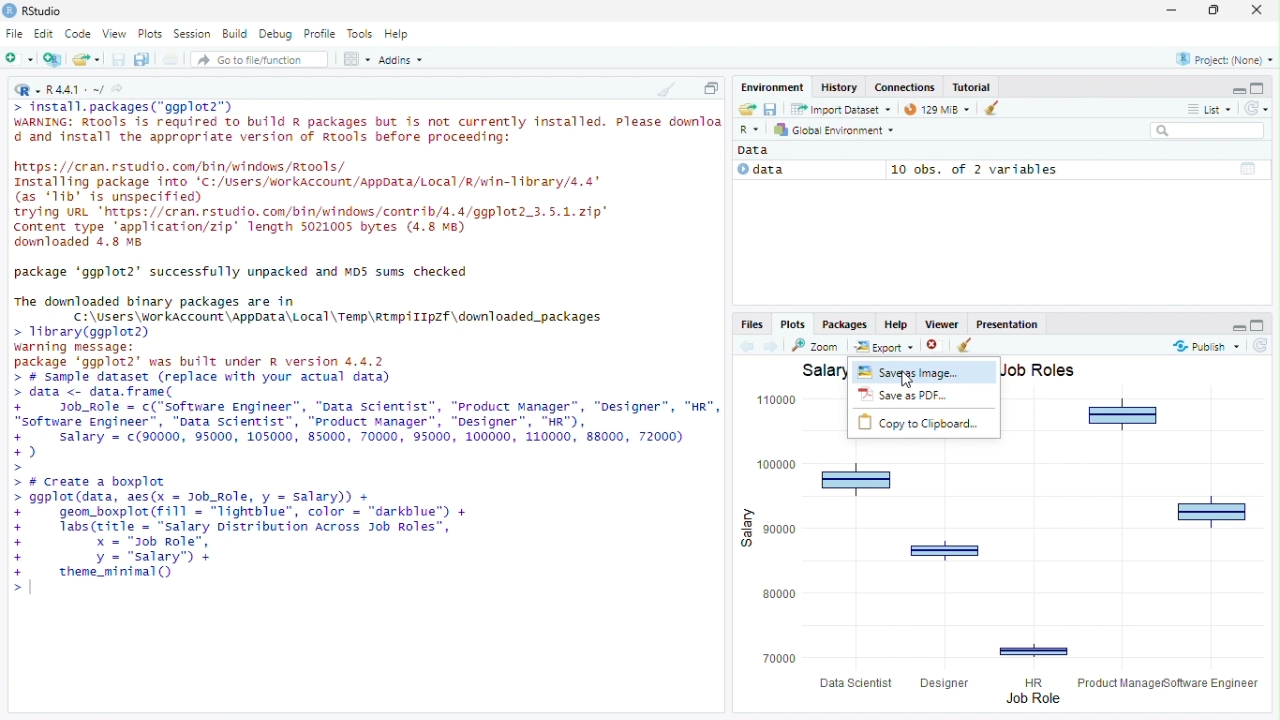  I want to click on Search, so click(1208, 130).